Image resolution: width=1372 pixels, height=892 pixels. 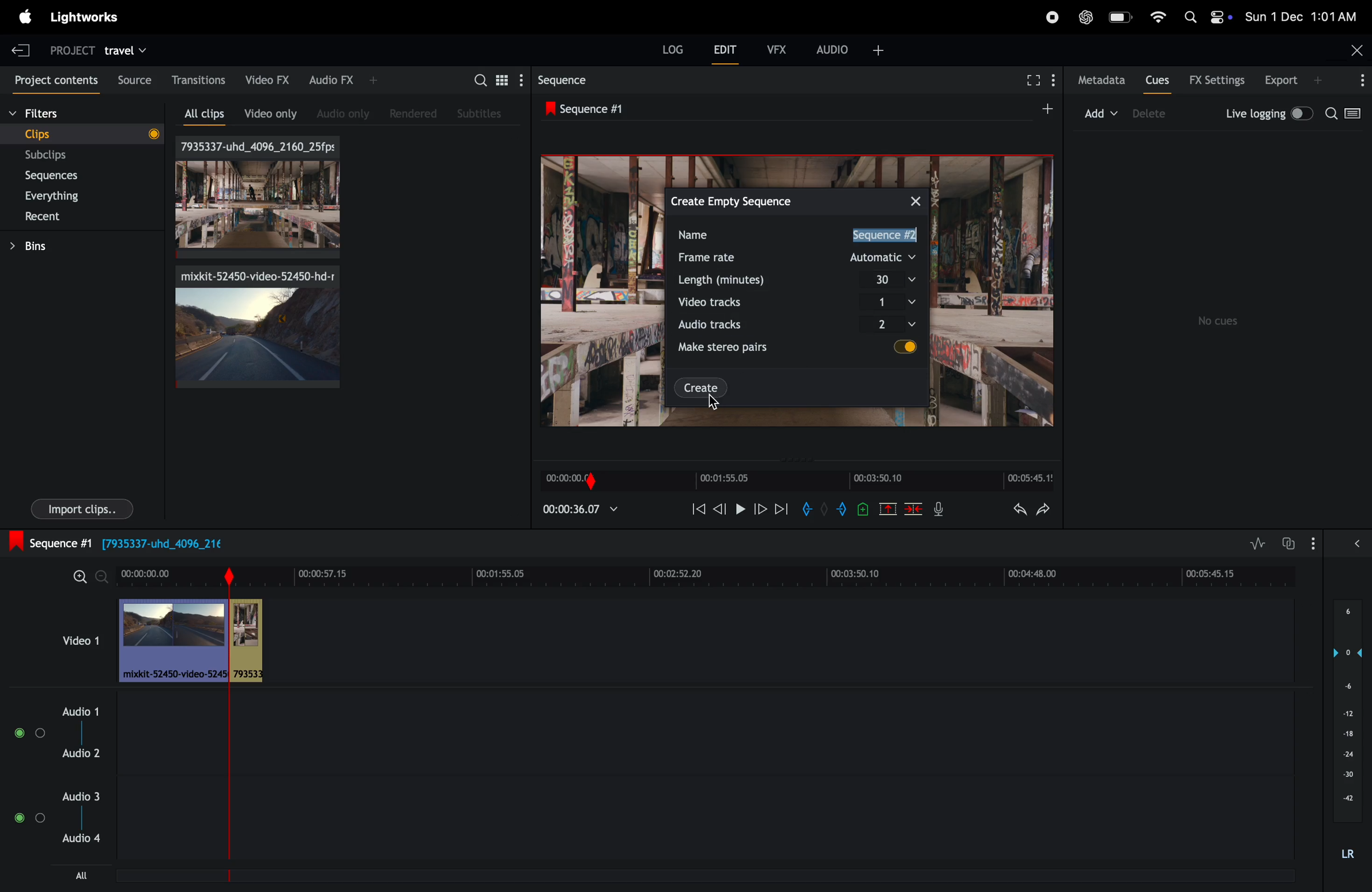 I want to click on audio only, so click(x=346, y=111).